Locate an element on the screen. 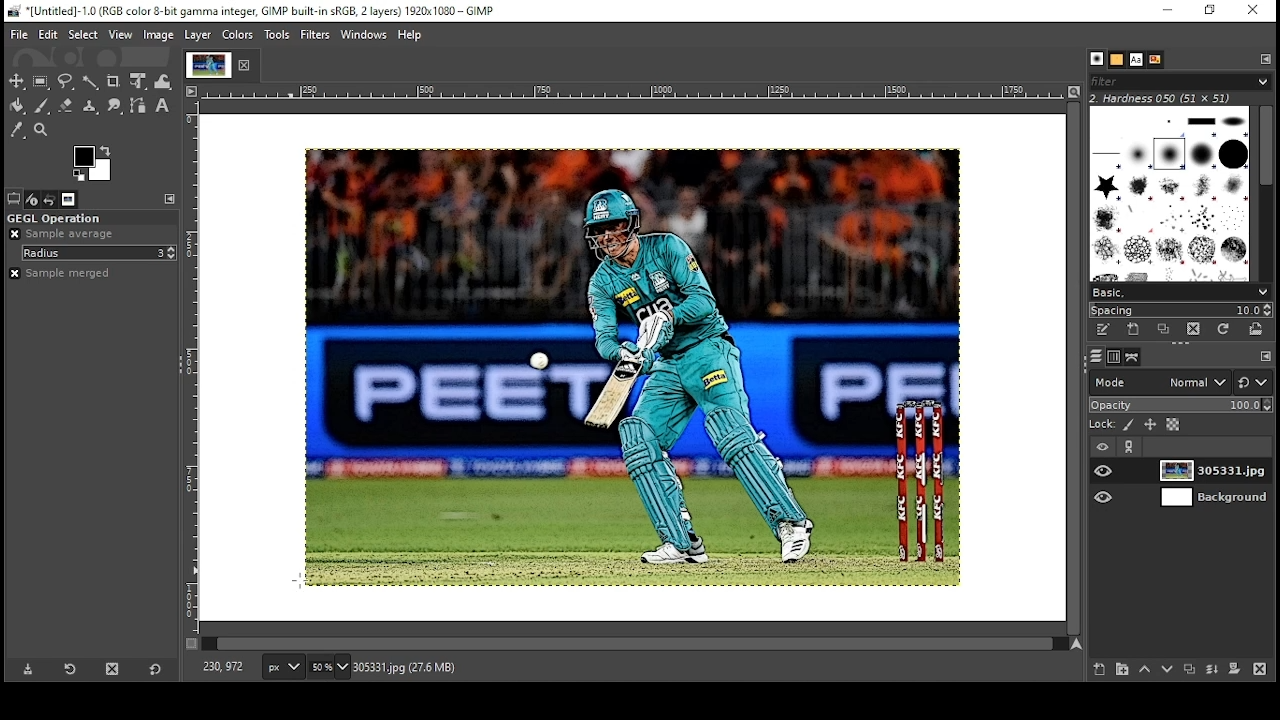  fonts is located at coordinates (1136, 60).